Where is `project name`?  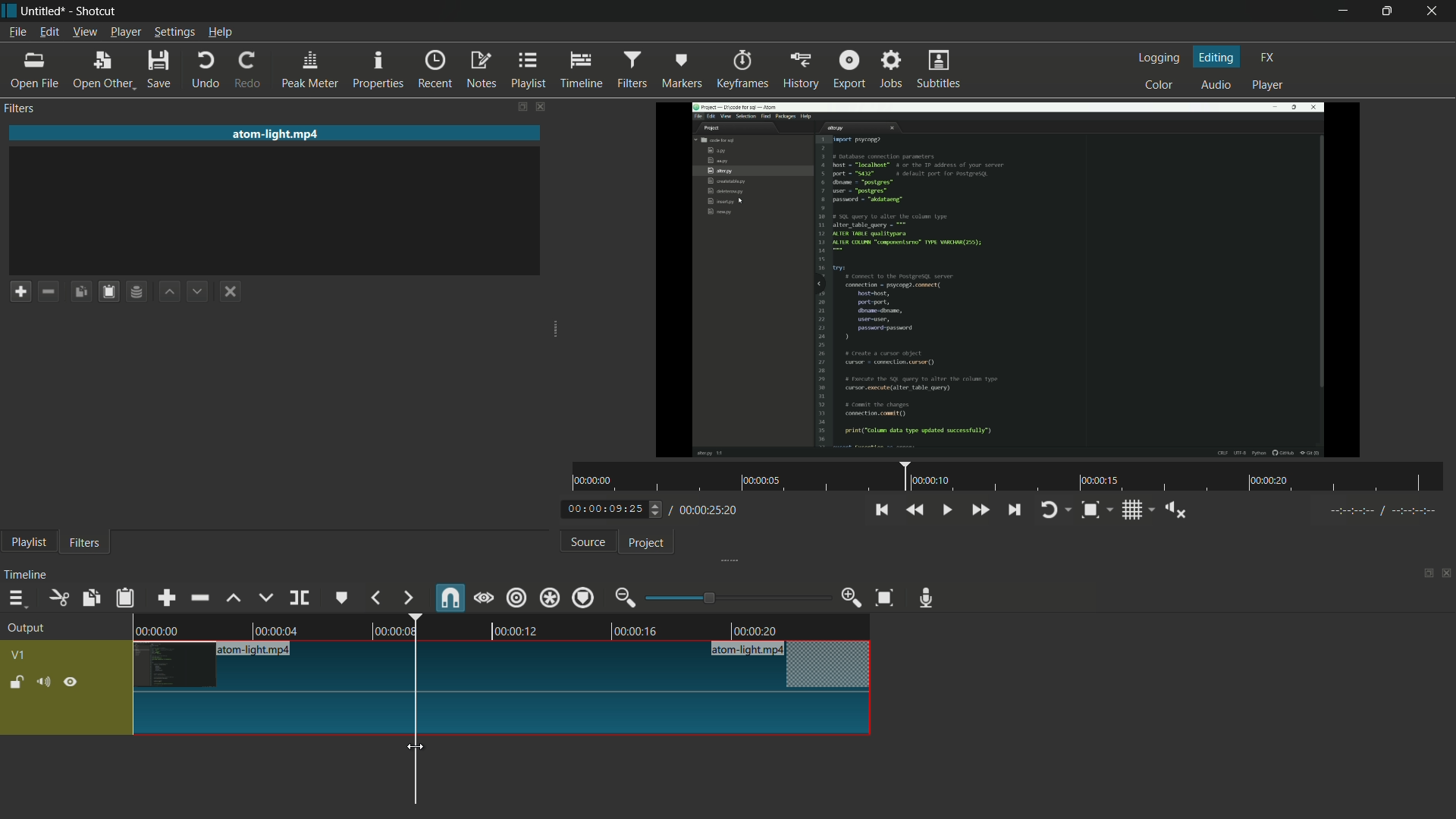 project name is located at coordinates (46, 11).